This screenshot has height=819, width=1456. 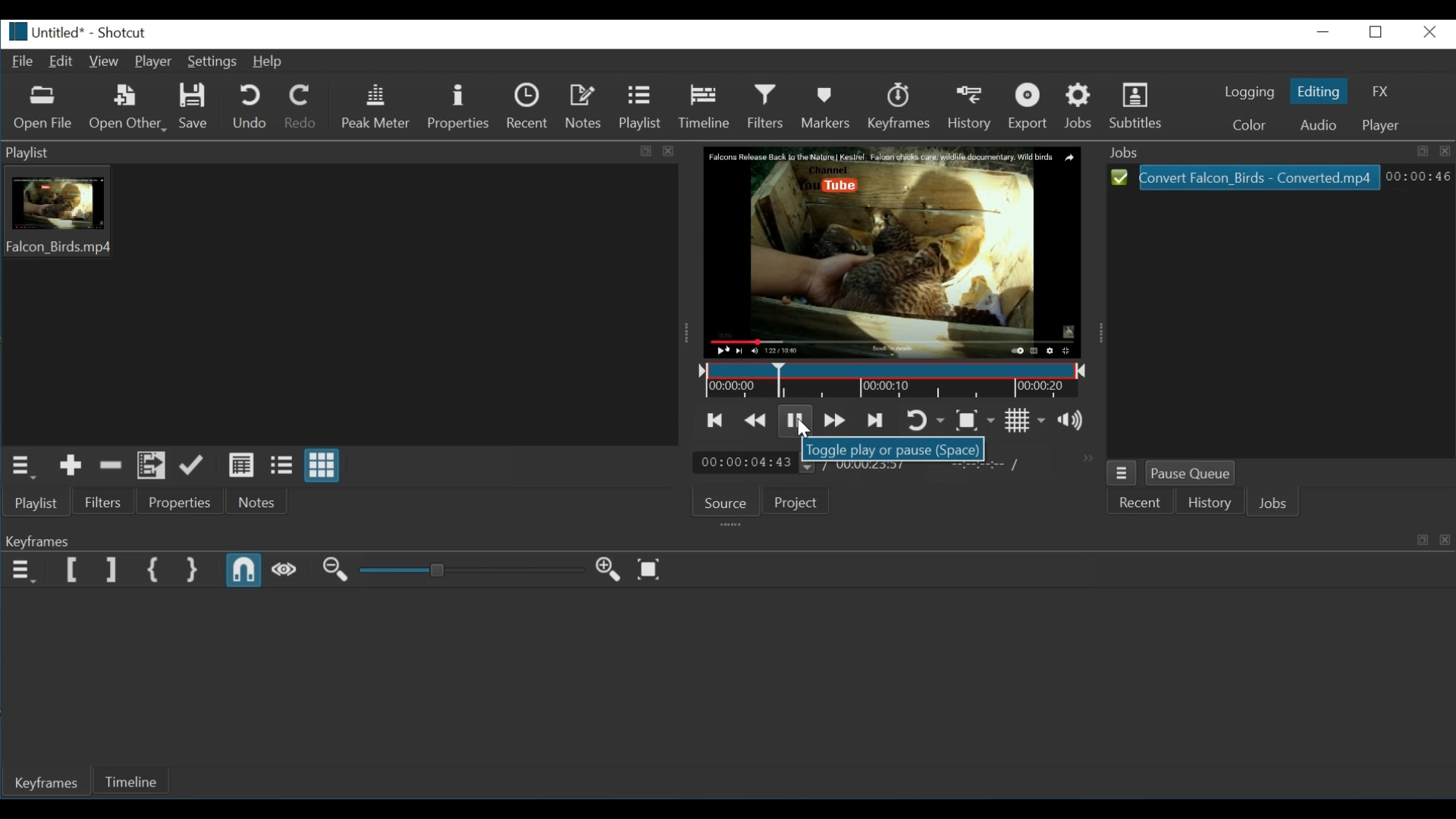 What do you see at coordinates (1373, 33) in the screenshot?
I see `maximize` at bounding box center [1373, 33].